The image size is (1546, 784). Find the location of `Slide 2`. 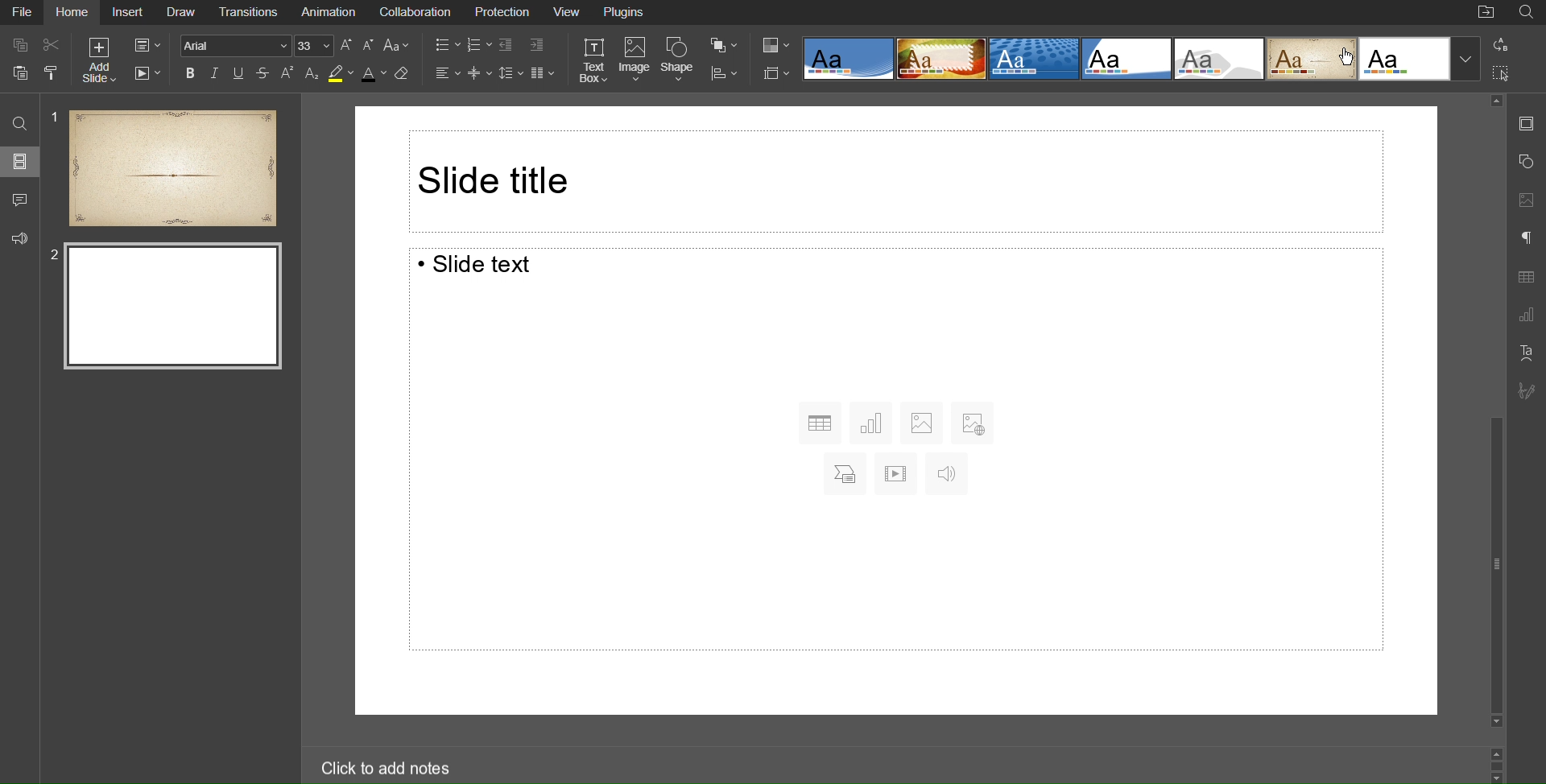

Slide 2 is located at coordinates (174, 307).